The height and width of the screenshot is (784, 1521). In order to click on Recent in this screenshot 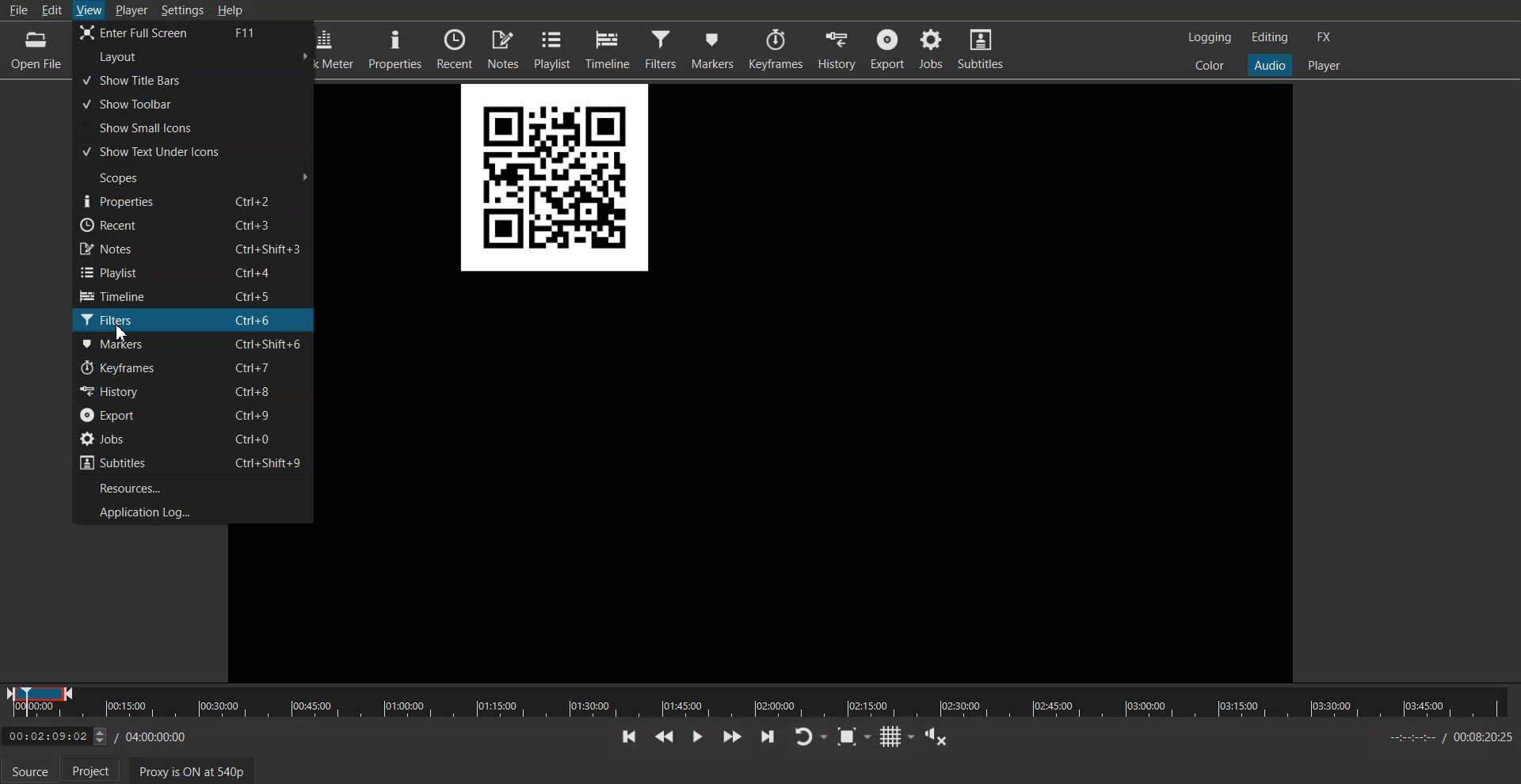, I will do `click(193, 224)`.